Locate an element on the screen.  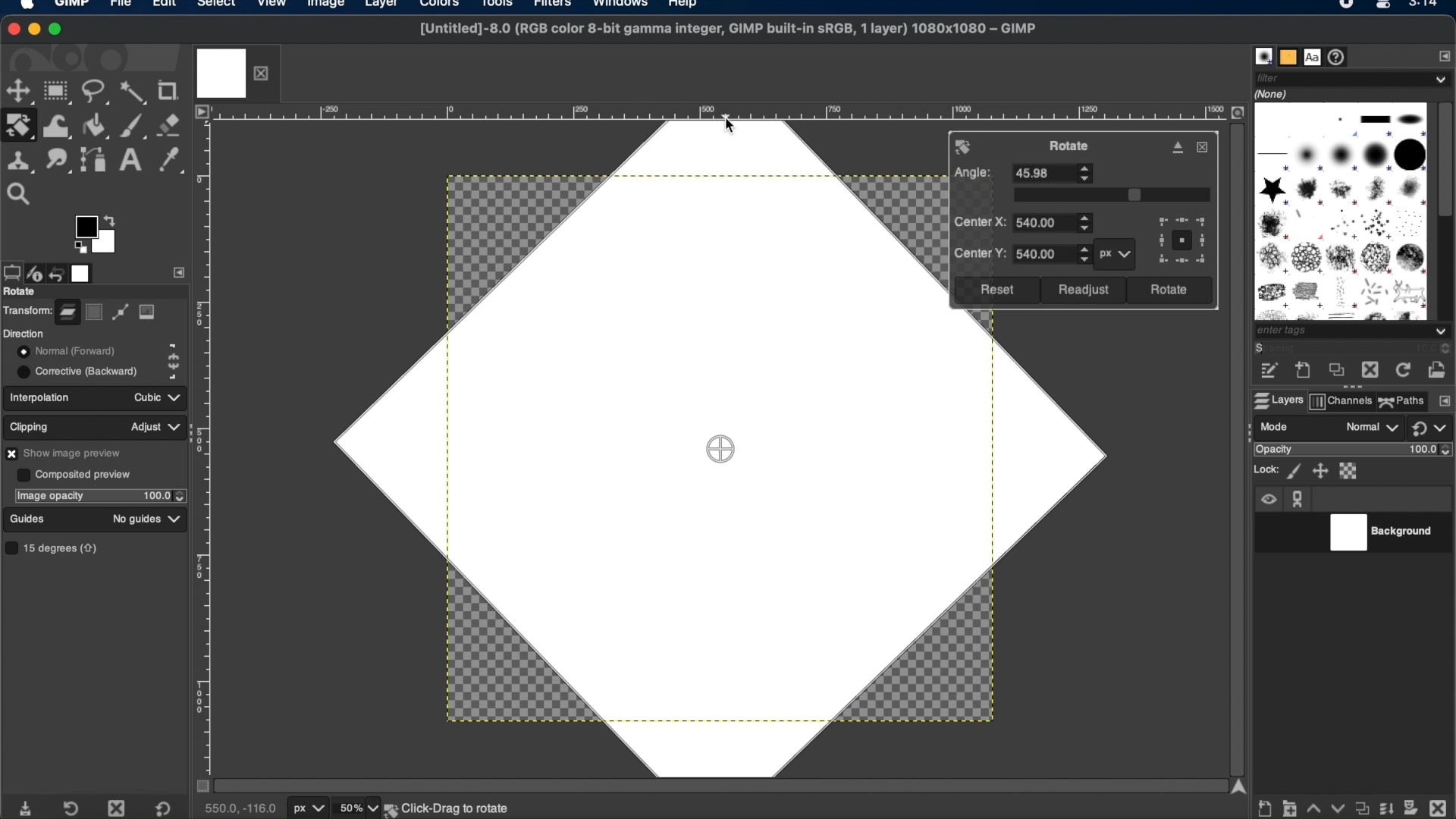
rotate is located at coordinates (21, 292).